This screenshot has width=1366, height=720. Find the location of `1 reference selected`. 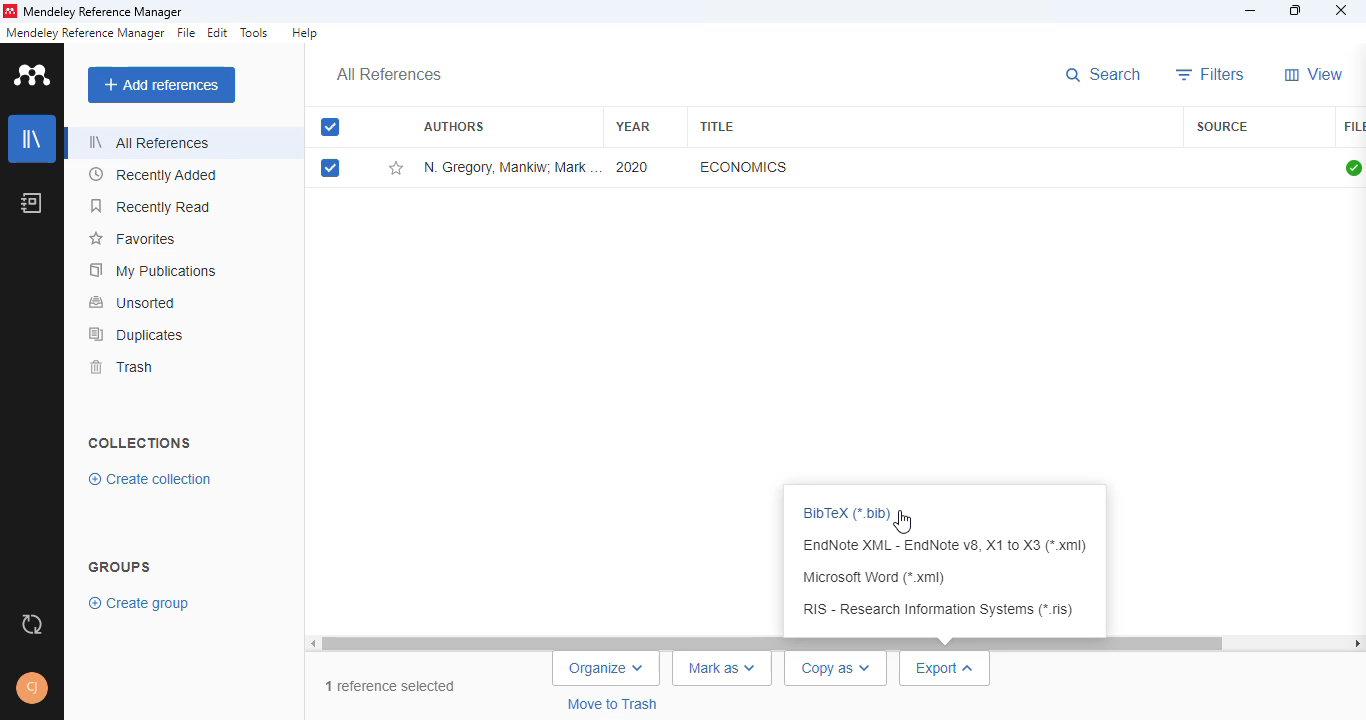

1 reference selected is located at coordinates (392, 687).